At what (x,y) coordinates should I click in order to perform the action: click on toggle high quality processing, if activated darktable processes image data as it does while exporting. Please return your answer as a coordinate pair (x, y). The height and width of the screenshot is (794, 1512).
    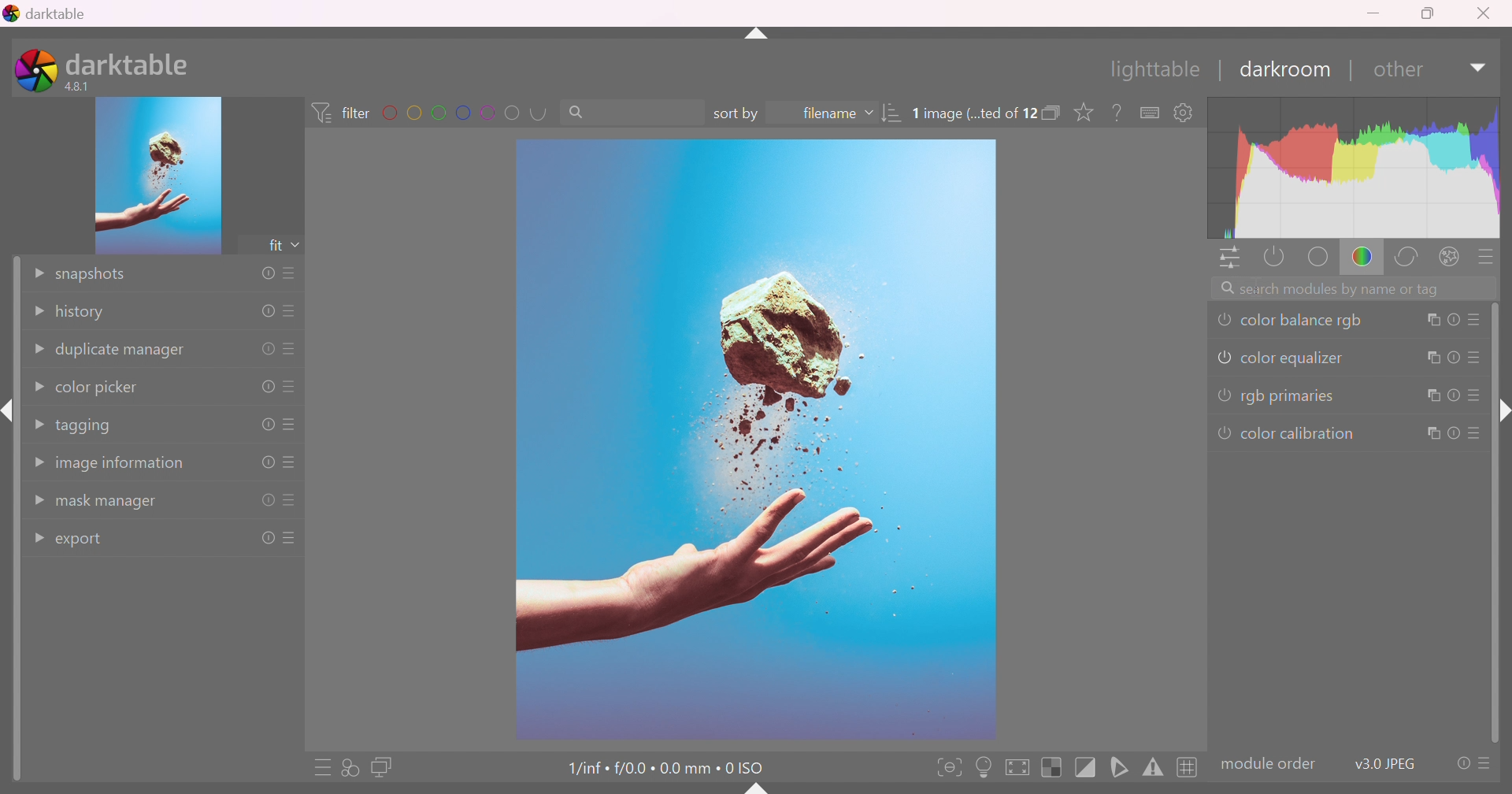
    Looking at the image, I should click on (1019, 767).